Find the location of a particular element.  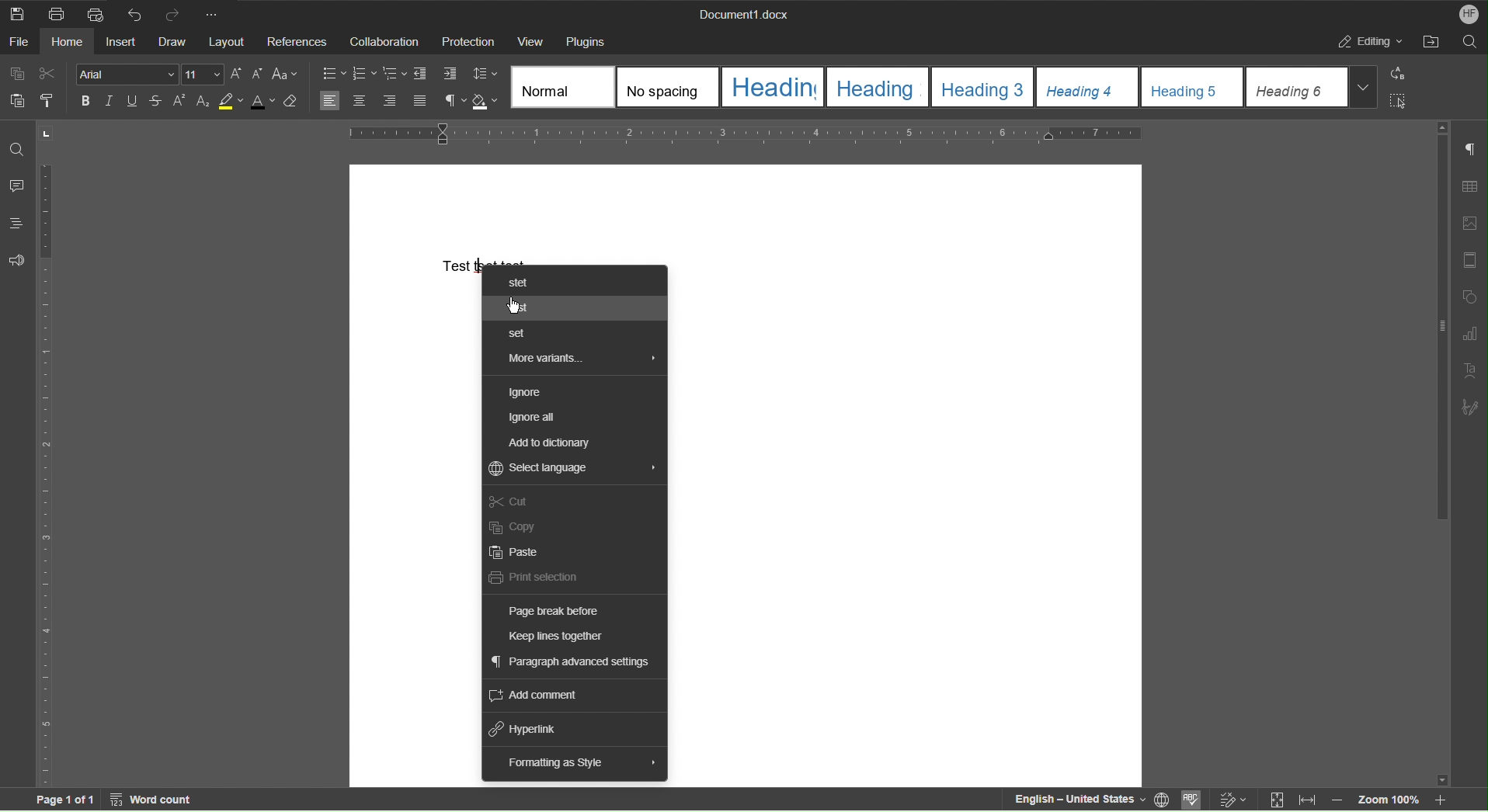

Superscript is located at coordinates (179, 102).